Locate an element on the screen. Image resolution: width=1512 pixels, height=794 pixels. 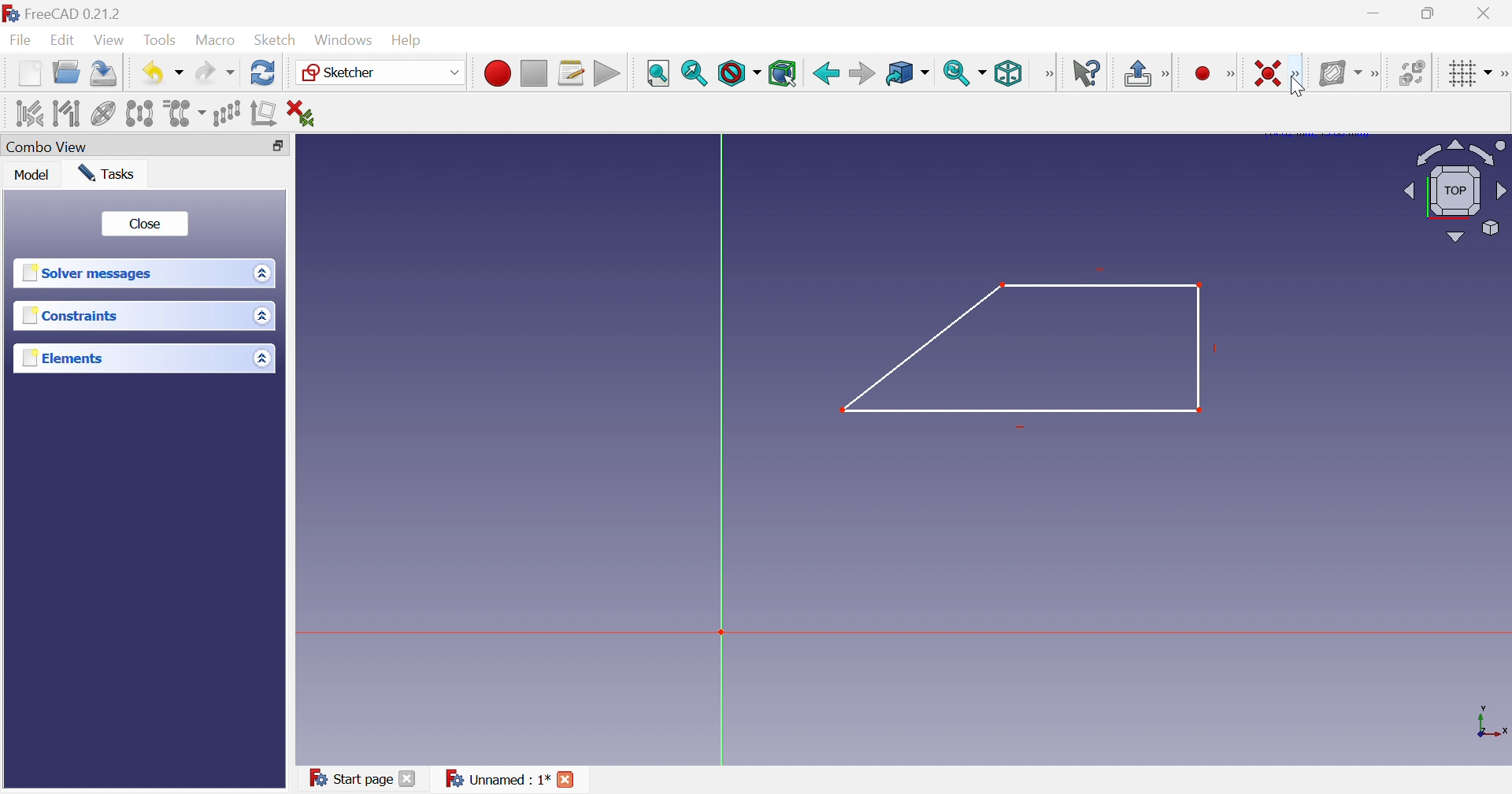
Constraint coincident is located at coordinates (1269, 73).